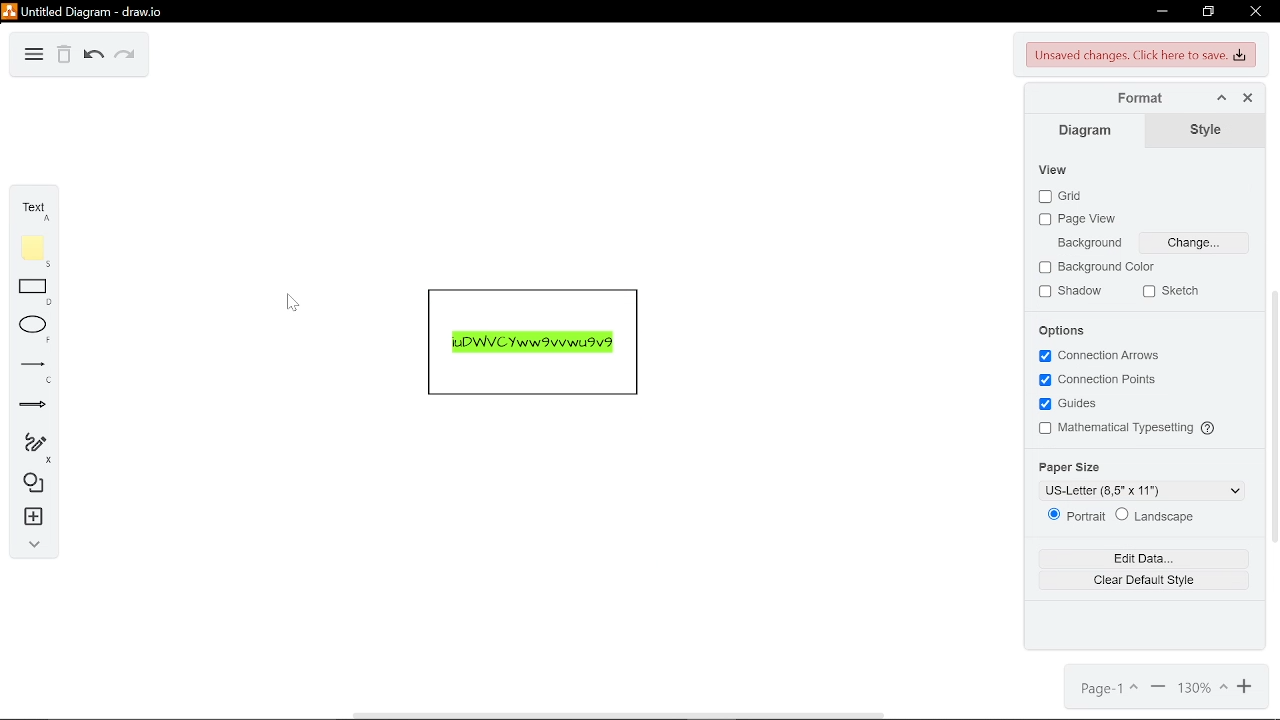 The height and width of the screenshot is (720, 1280). Describe the element at coordinates (1061, 195) in the screenshot. I see `grid` at that location.